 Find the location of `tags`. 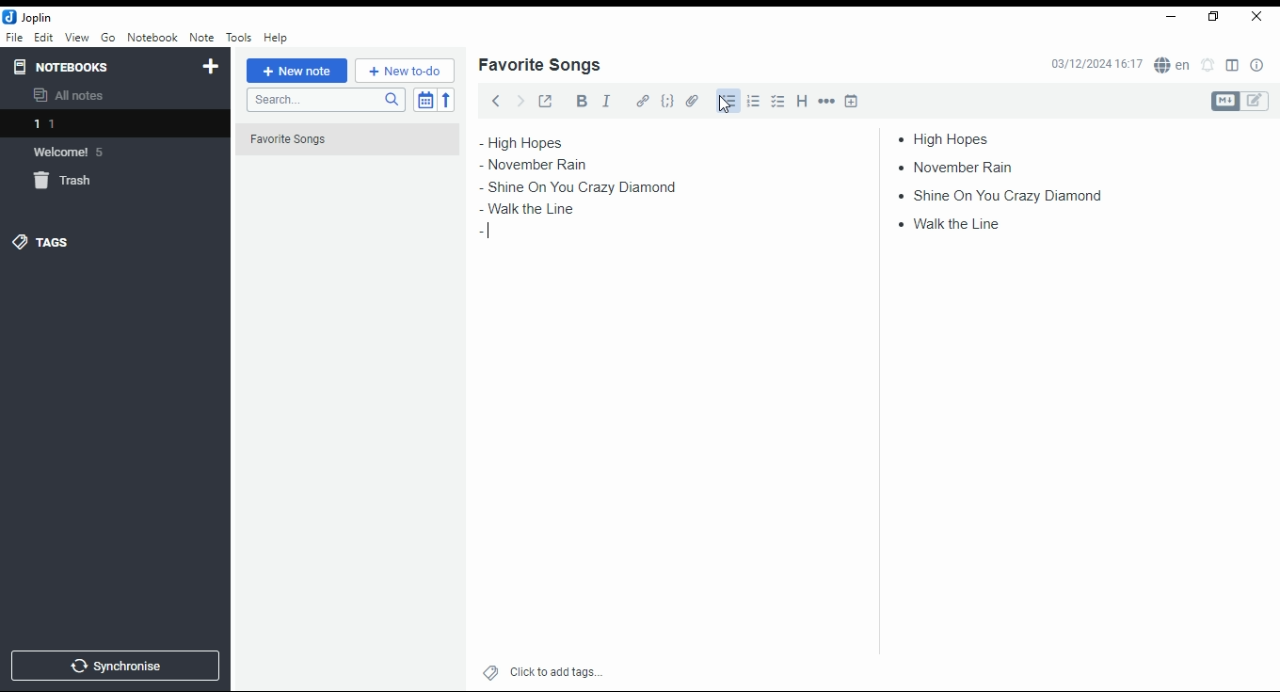

tags is located at coordinates (41, 241).